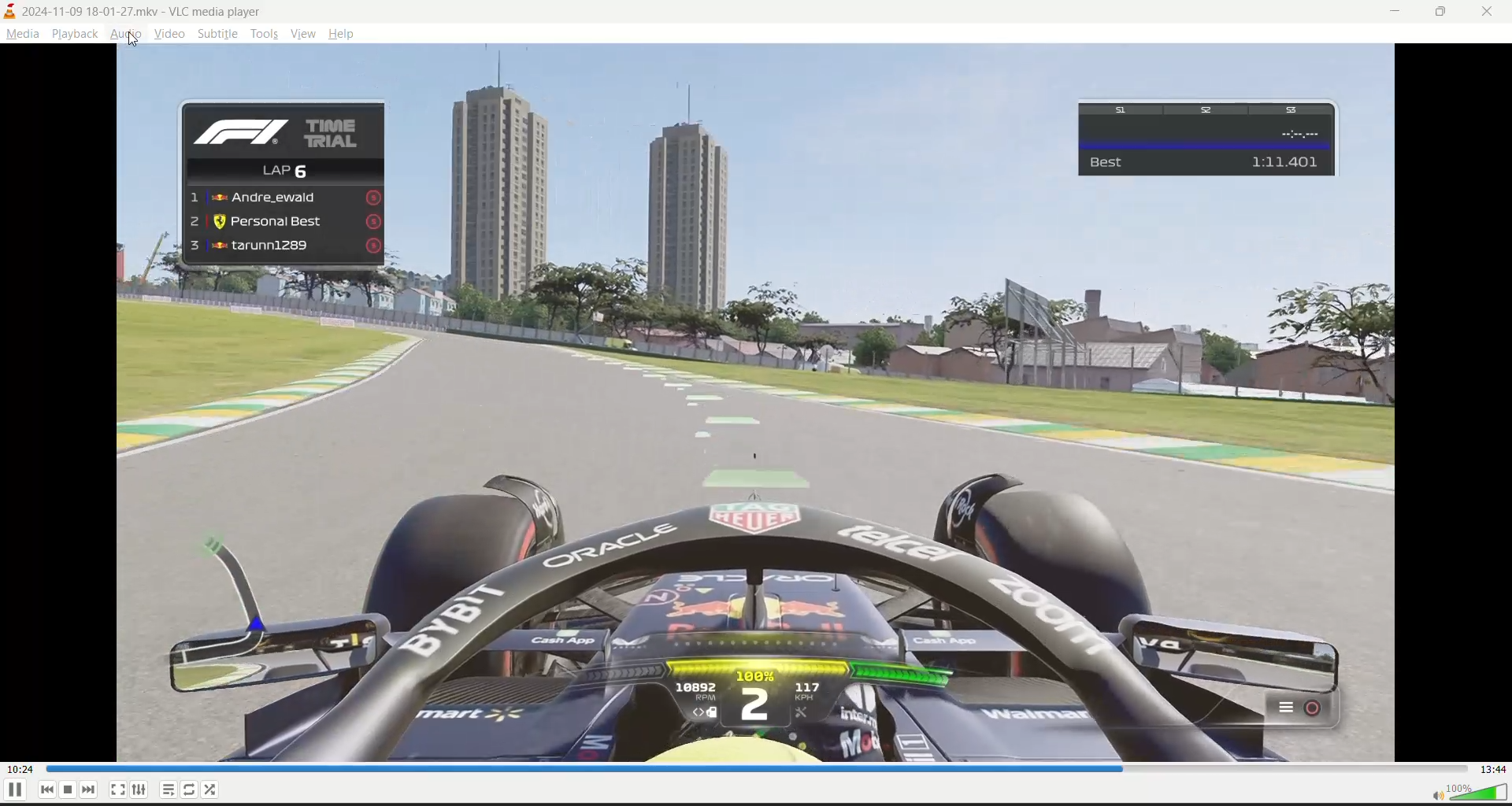 The width and height of the screenshot is (1512, 806). Describe the element at coordinates (1206, 139) in the screenshot. I see `Best 1:11.401` at that location.